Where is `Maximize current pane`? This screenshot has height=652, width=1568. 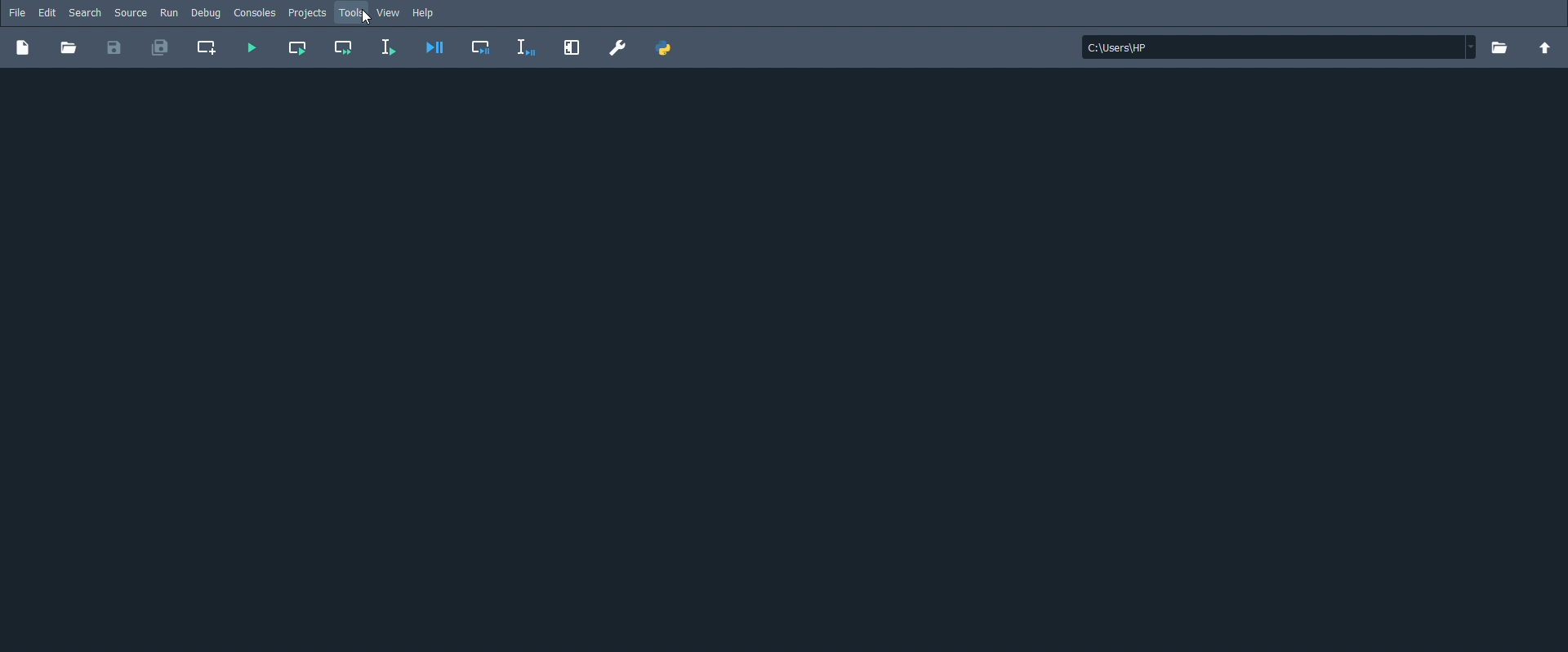 Maximize current pane is located at coordinates (576, 48).